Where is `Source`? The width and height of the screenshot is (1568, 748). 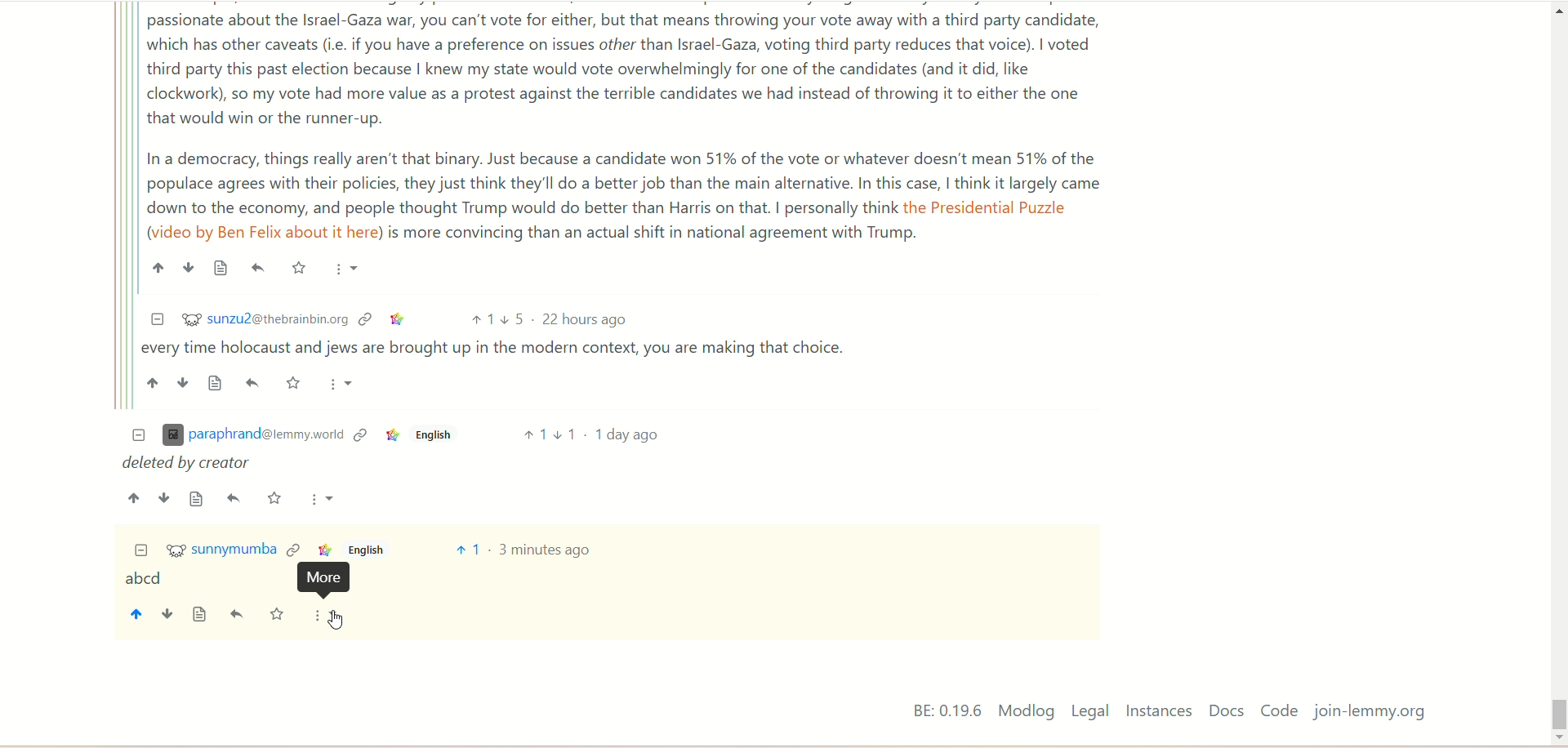
Source is located at coordinates (217, 382).